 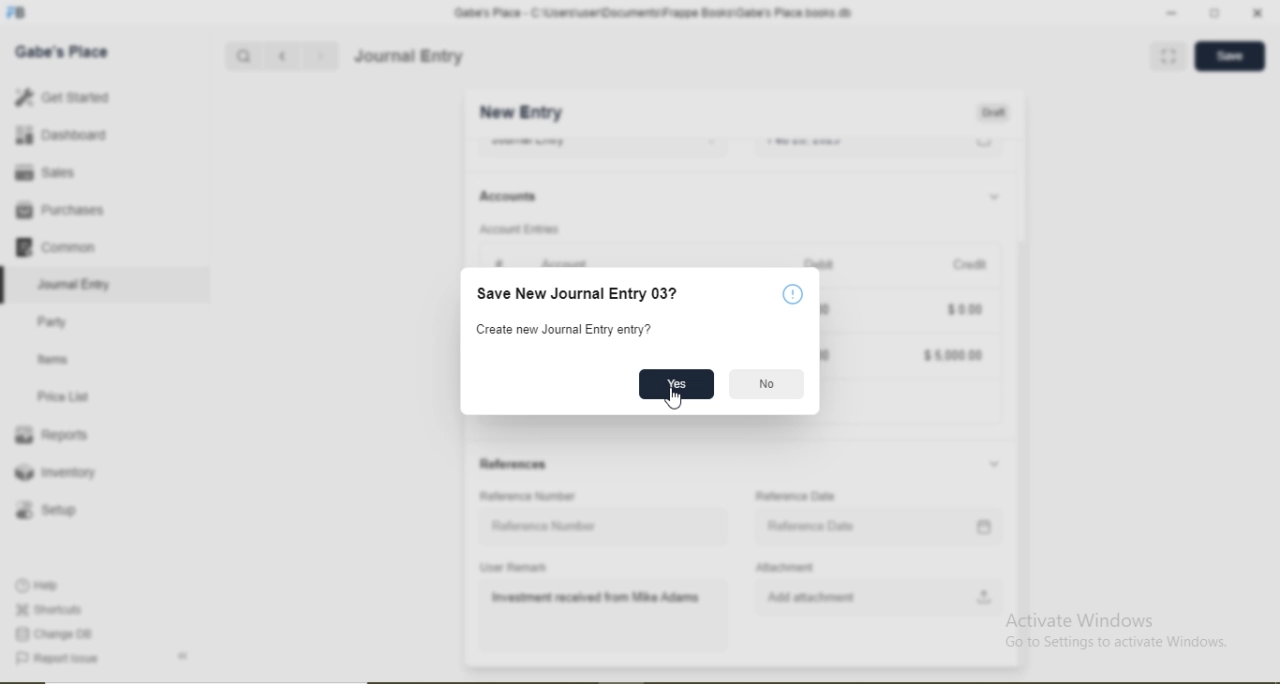 I want to click on ‘Gabe's Place - C:\Users\useriDocuments\Frappe Books\Gabe's Place books db, so click(x=652, y=13).